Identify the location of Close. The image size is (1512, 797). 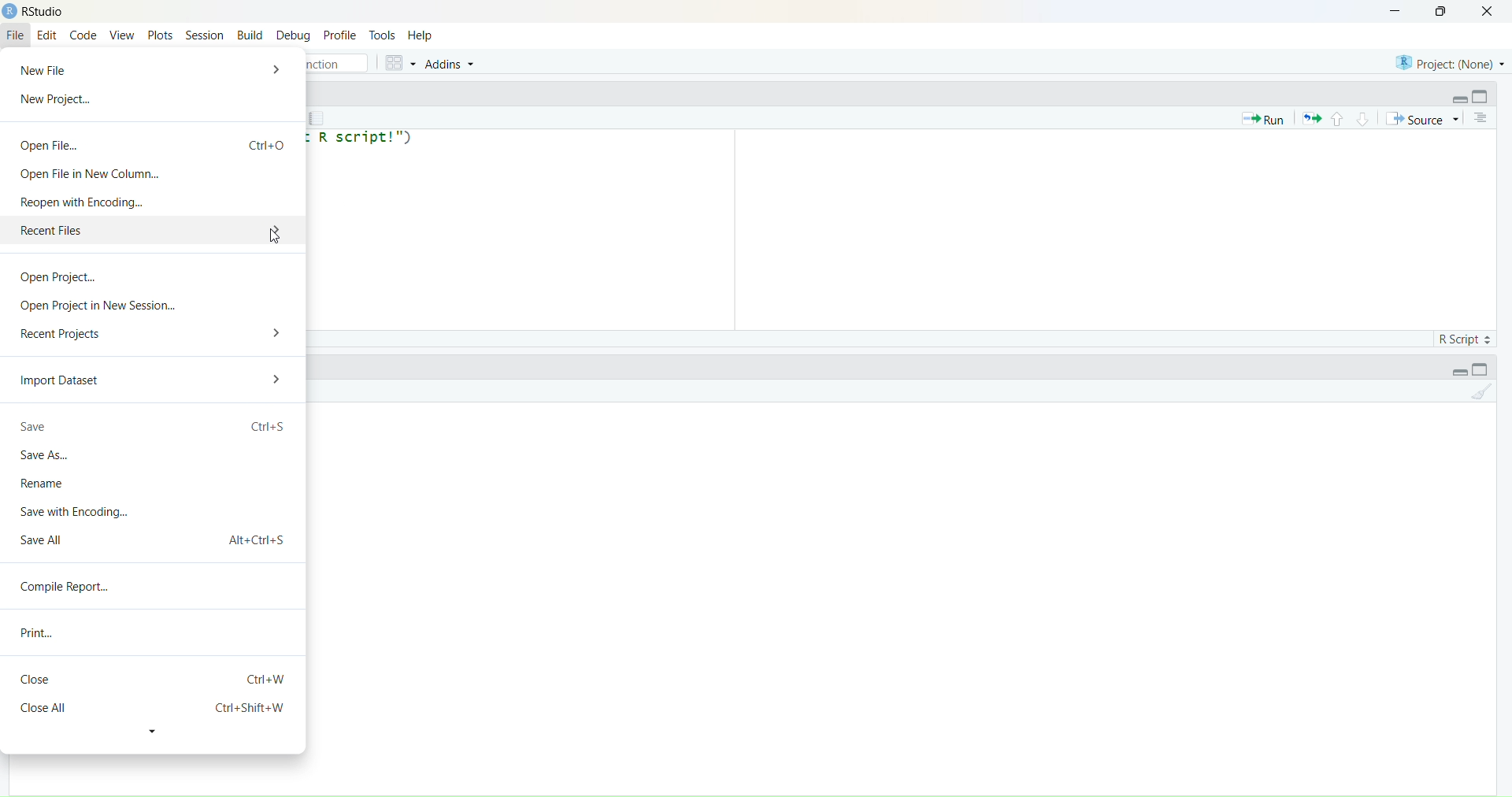
(1488, 13).